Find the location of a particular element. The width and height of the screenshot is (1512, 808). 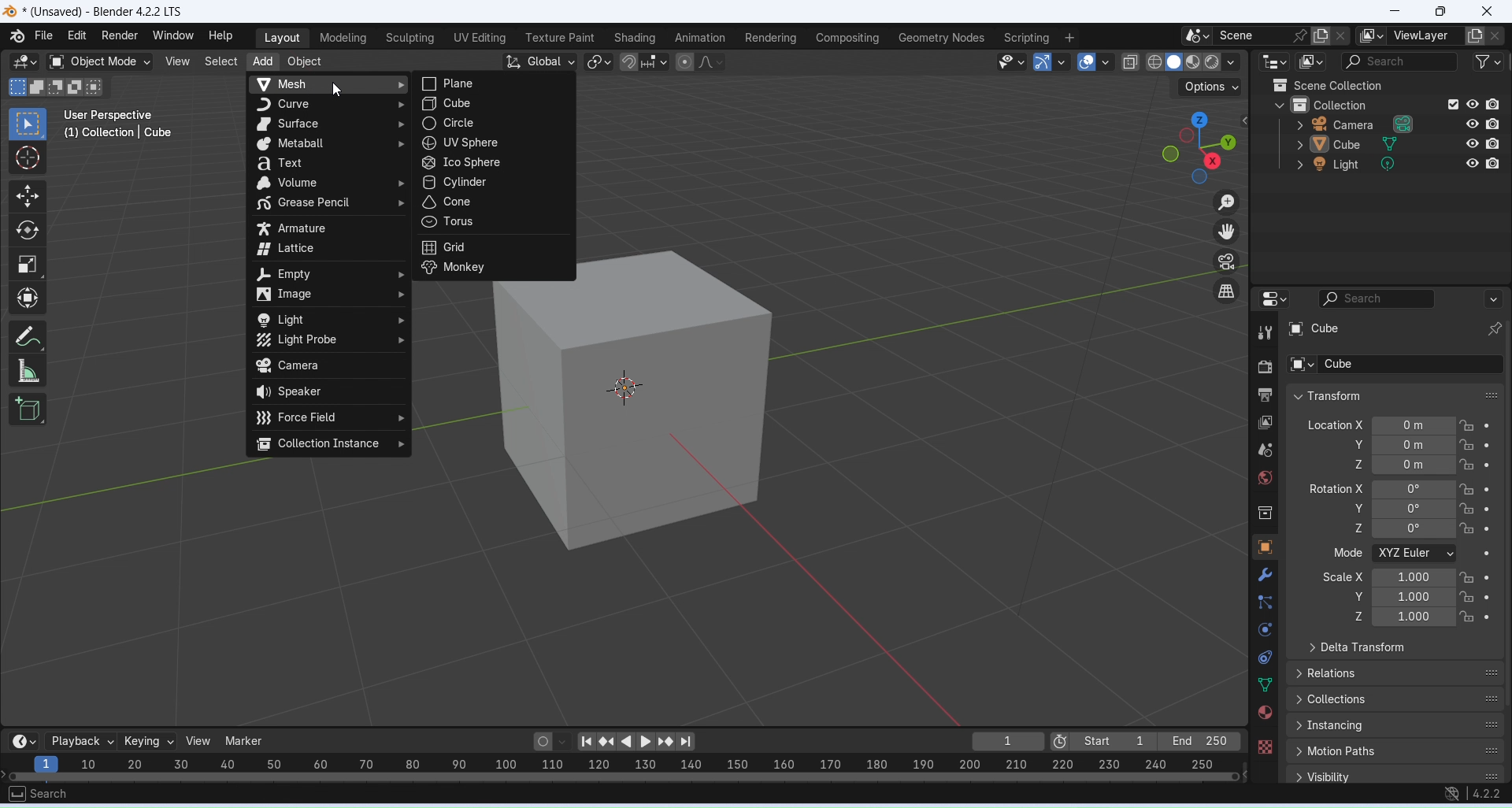

Modes is located at coordinates (54, 86).